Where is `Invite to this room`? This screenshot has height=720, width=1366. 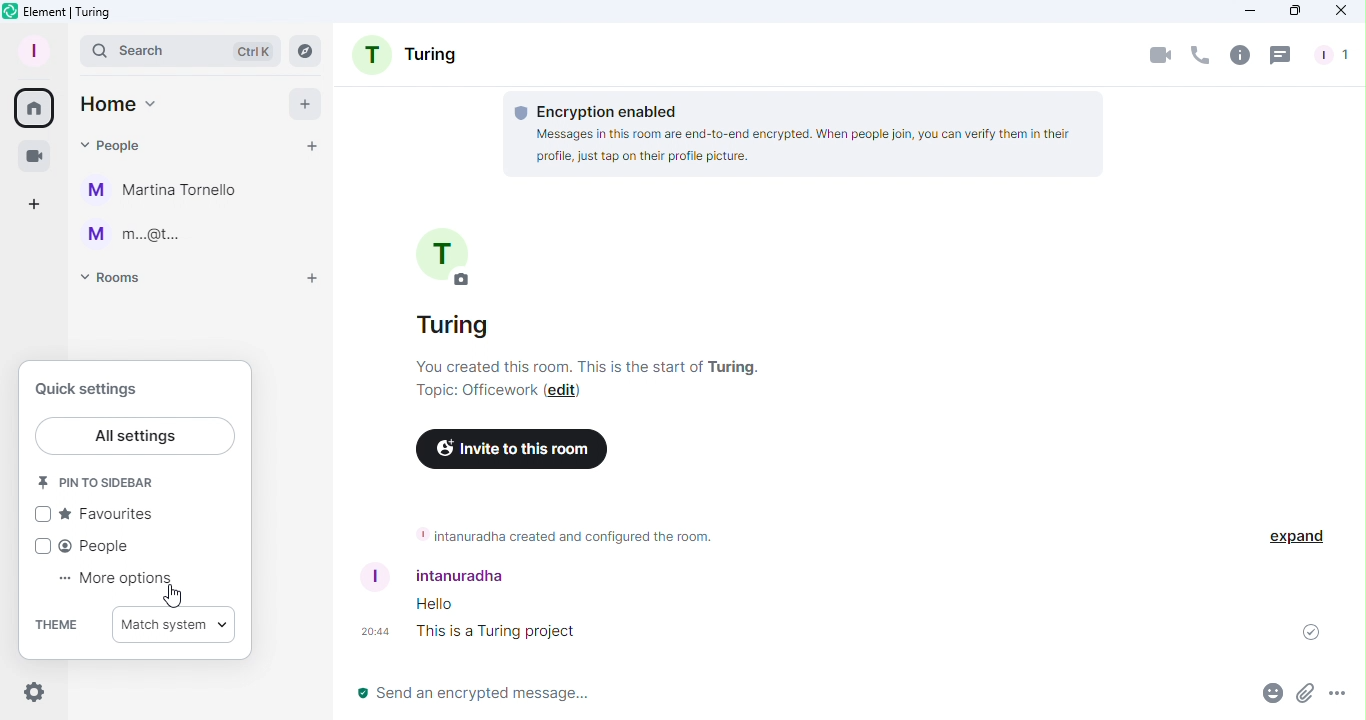 Invite to this room is located at coordinates (511, 450).